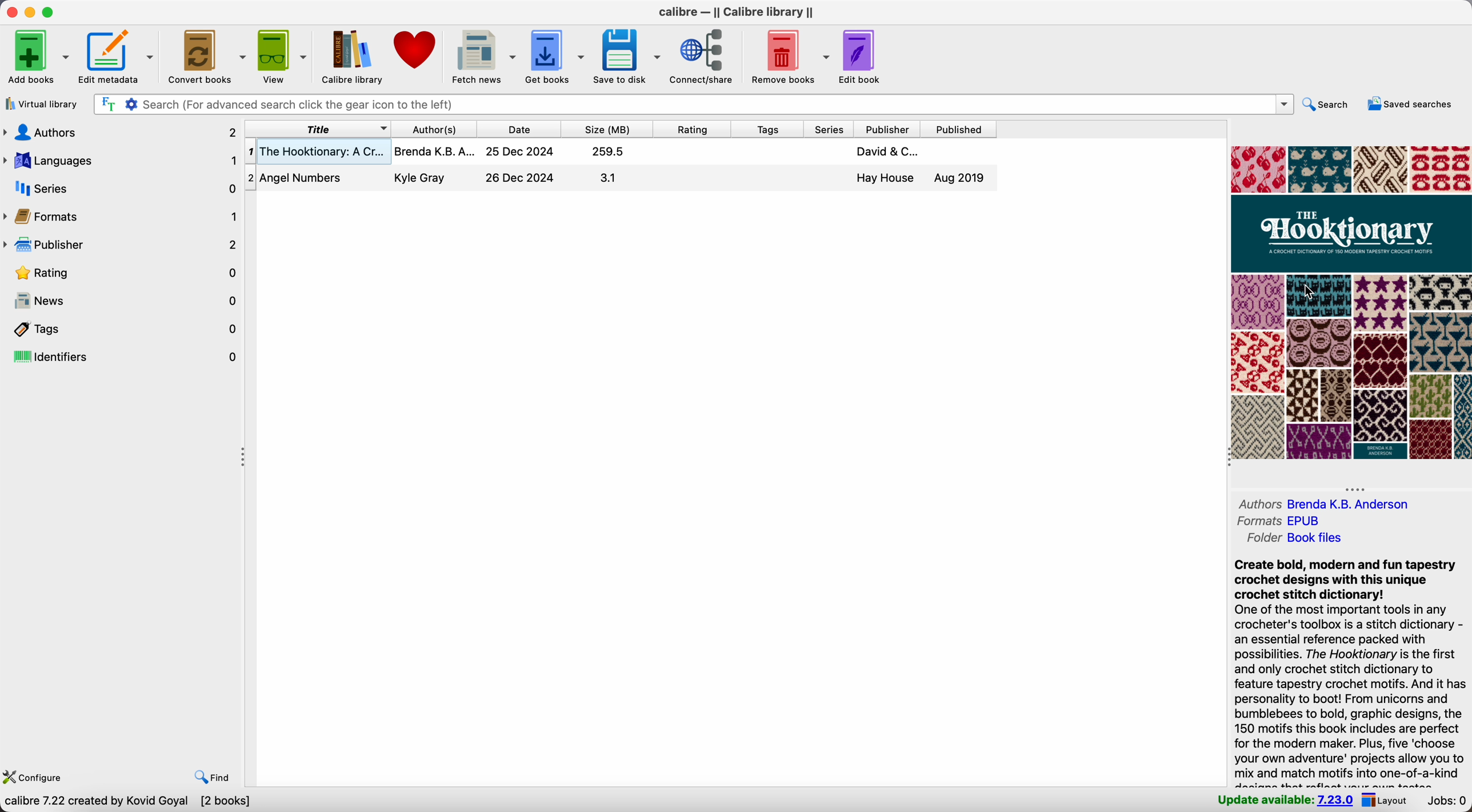 The width and height of the screenshot is (1472, 812). What do you see at coordinates (122, 358) in the screenshot?
I see `identifiers` at bounding box center [122, 358].